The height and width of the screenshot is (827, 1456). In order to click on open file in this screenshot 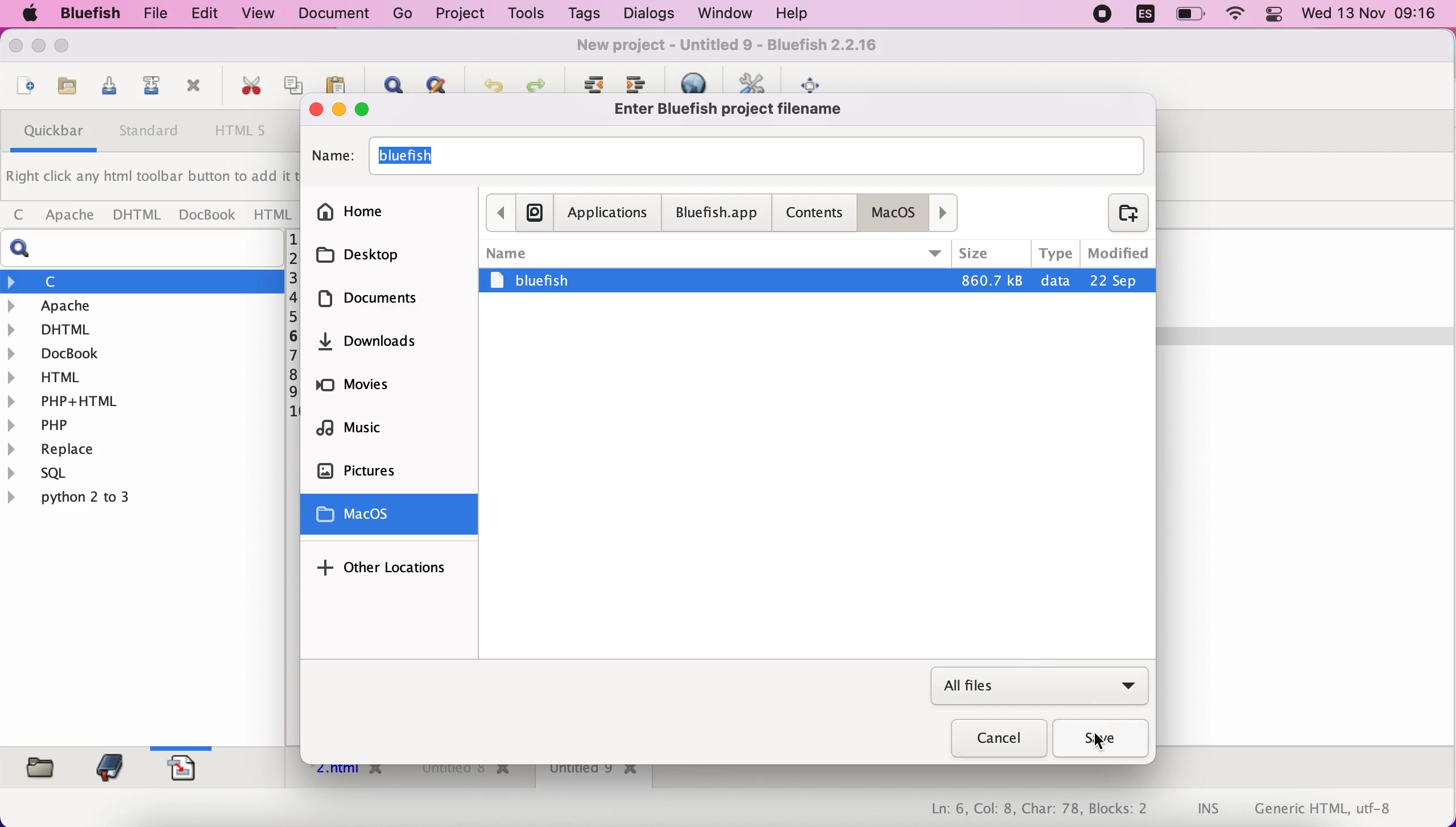, I will do `click(23, 88)`.